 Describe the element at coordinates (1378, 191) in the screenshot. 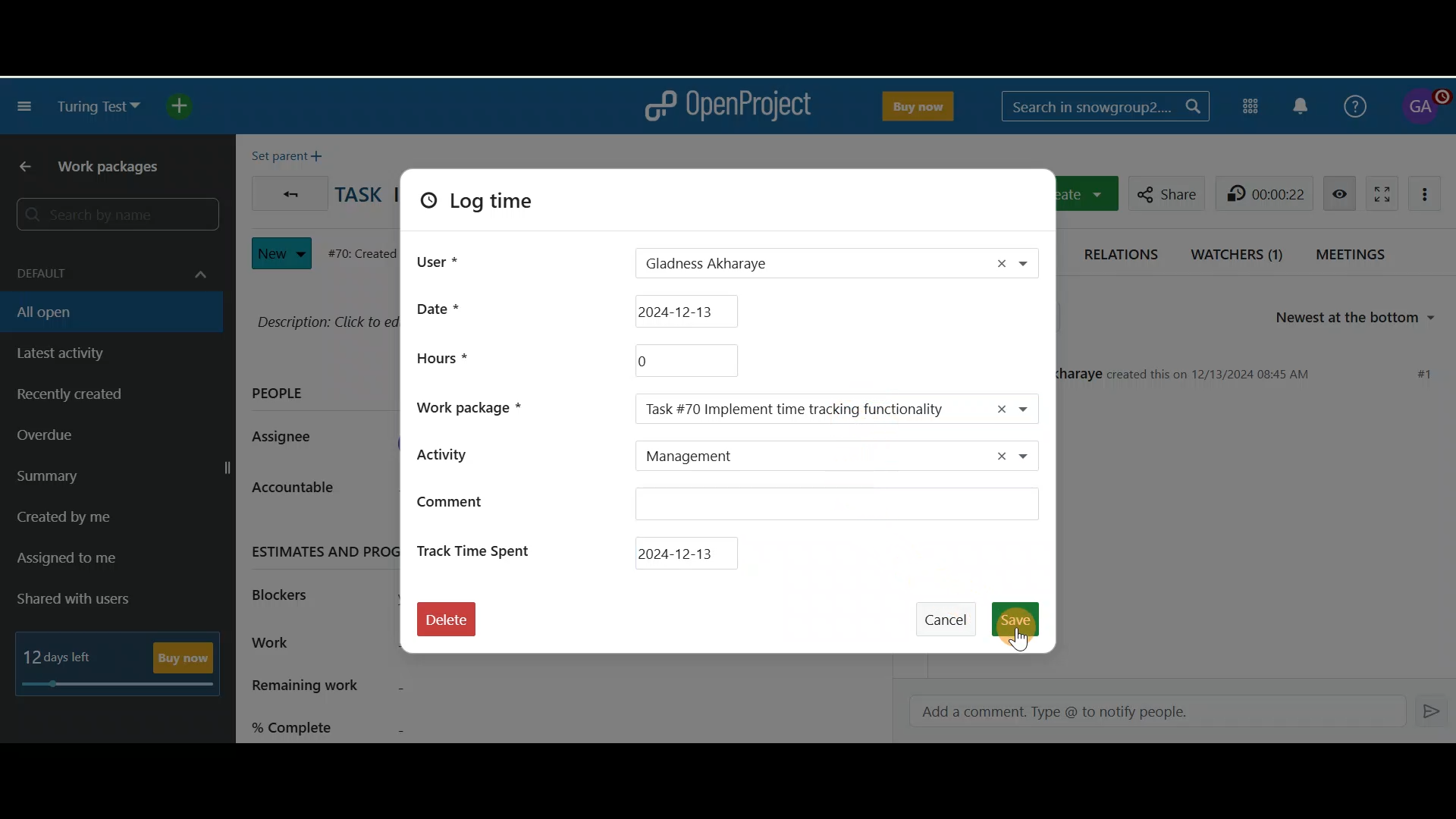

I see `Activate zen mode` at that location.